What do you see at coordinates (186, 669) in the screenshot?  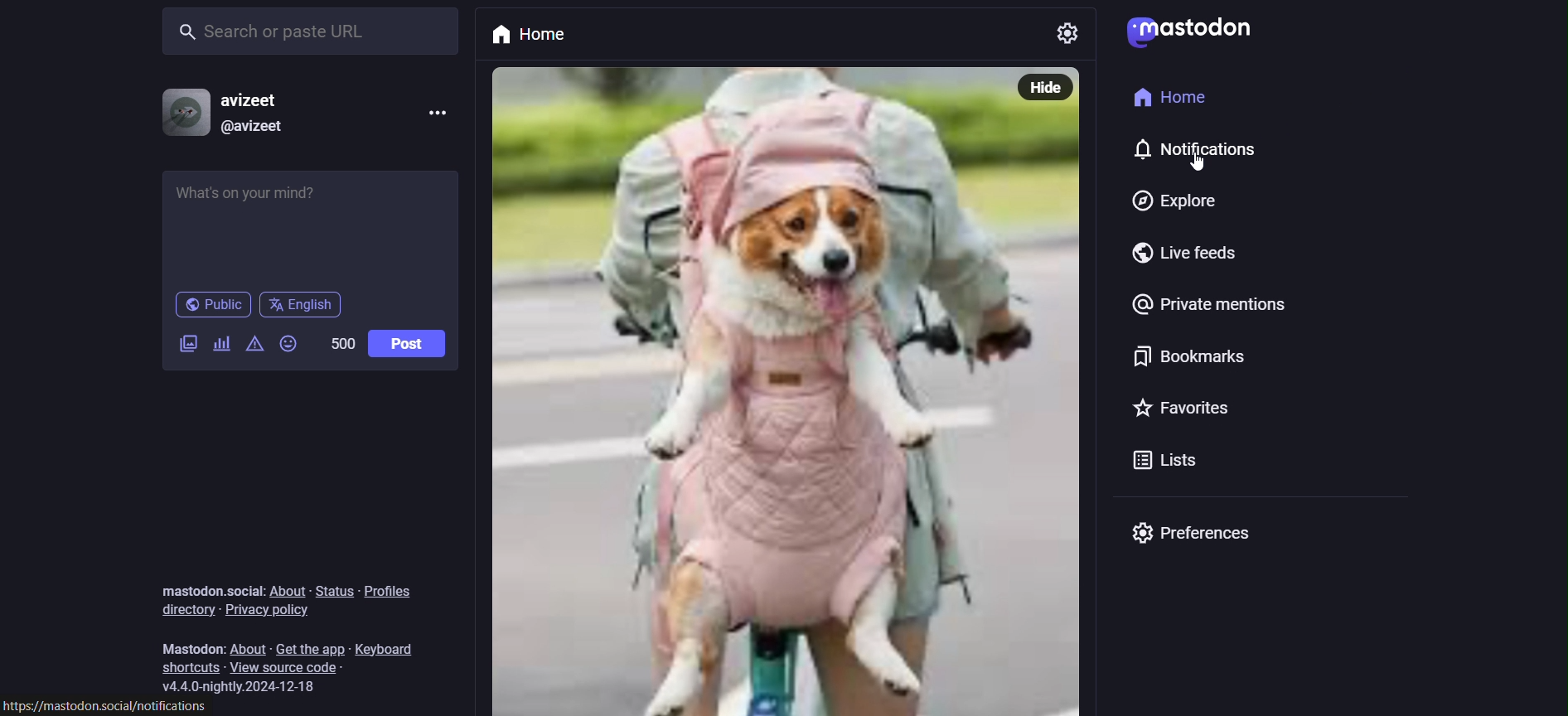 I see `shortcuts` at bounding box center [186, 669].